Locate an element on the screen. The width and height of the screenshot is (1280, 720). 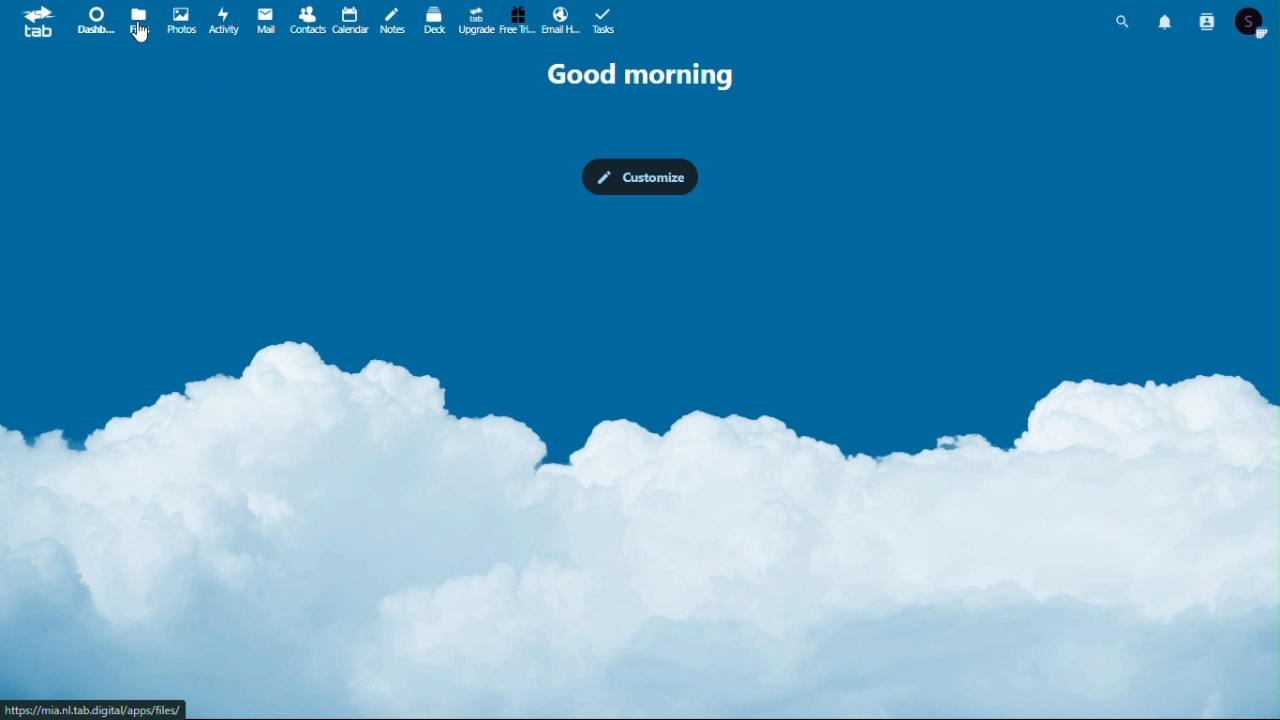
Notifications is located at coordinates (1167, 20).